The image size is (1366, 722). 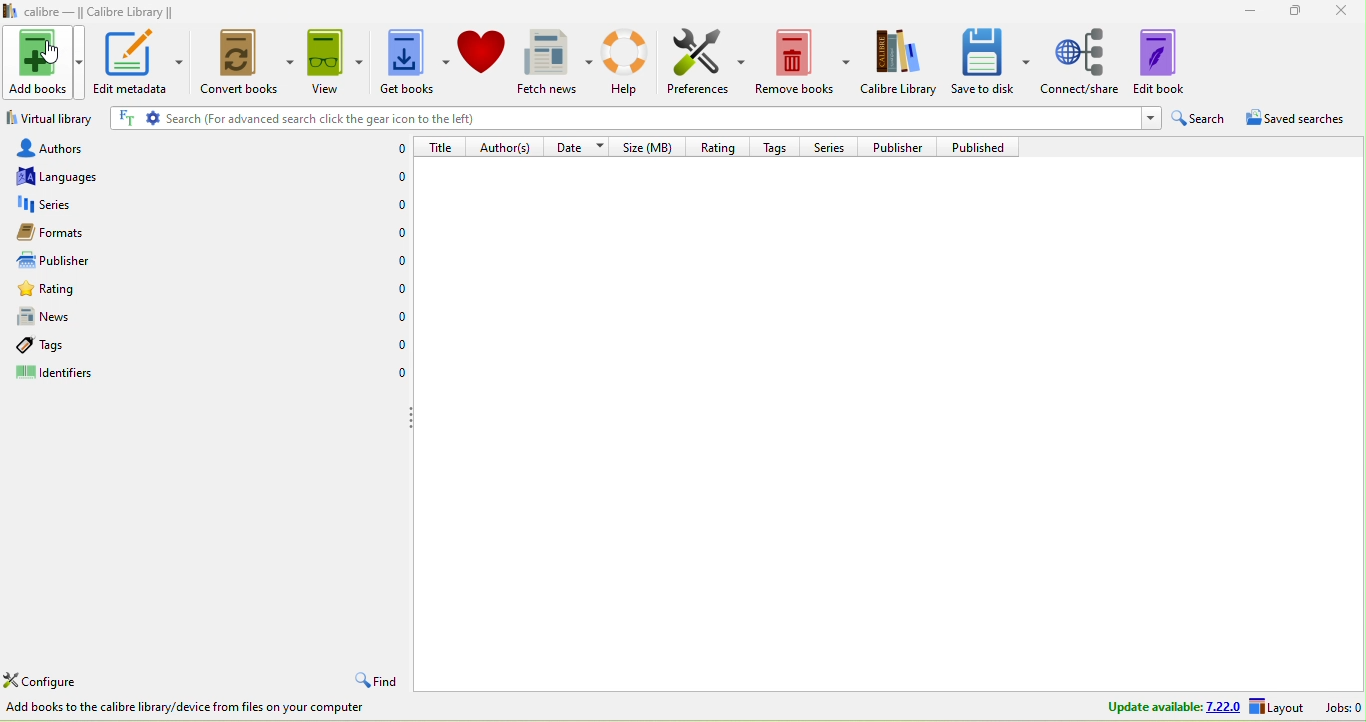 I want to click on tags, so click(x=781, y=147).